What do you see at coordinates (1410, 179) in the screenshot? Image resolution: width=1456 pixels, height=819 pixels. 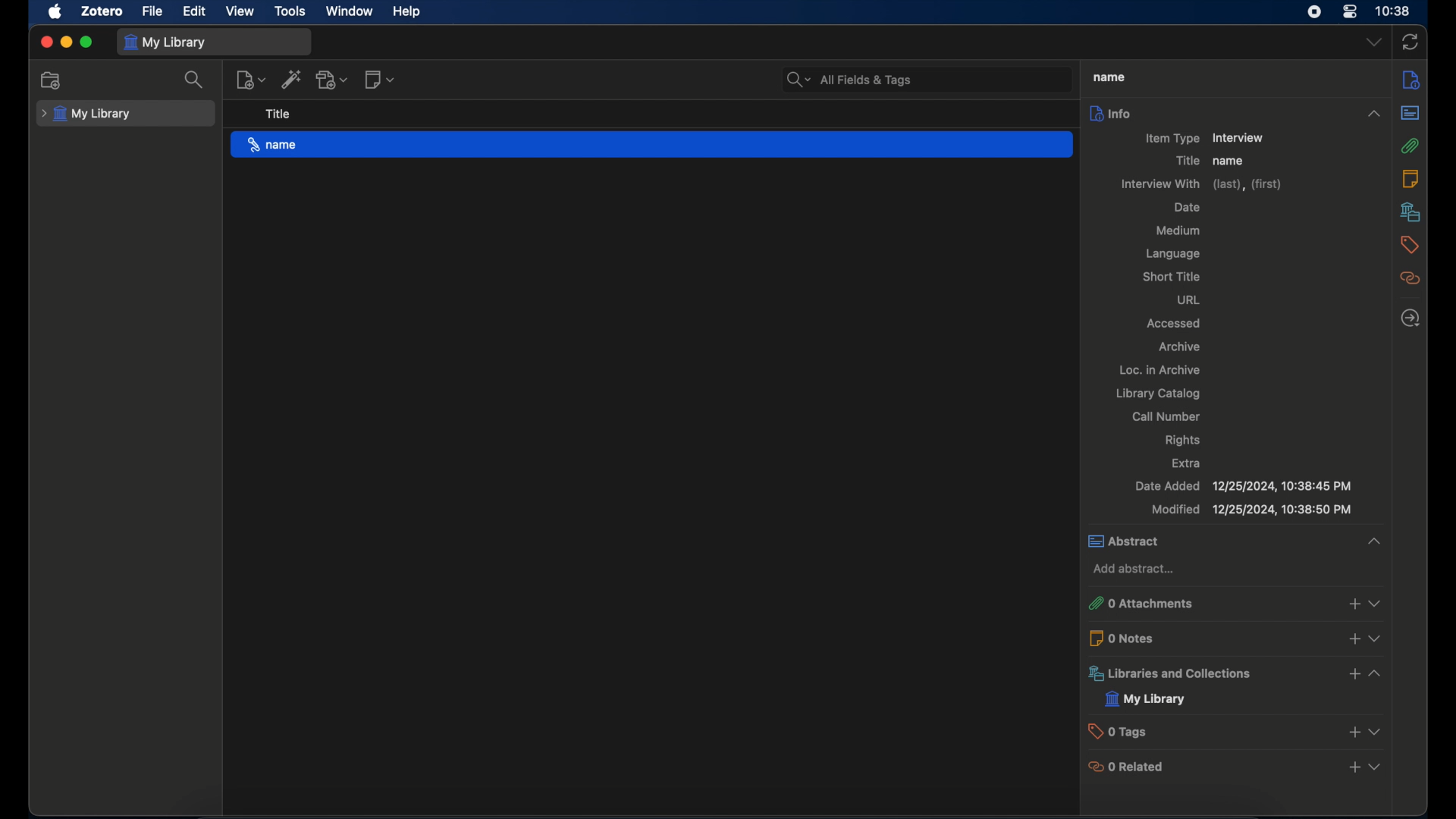 I see `notes` at bounding box center [1410, 179].